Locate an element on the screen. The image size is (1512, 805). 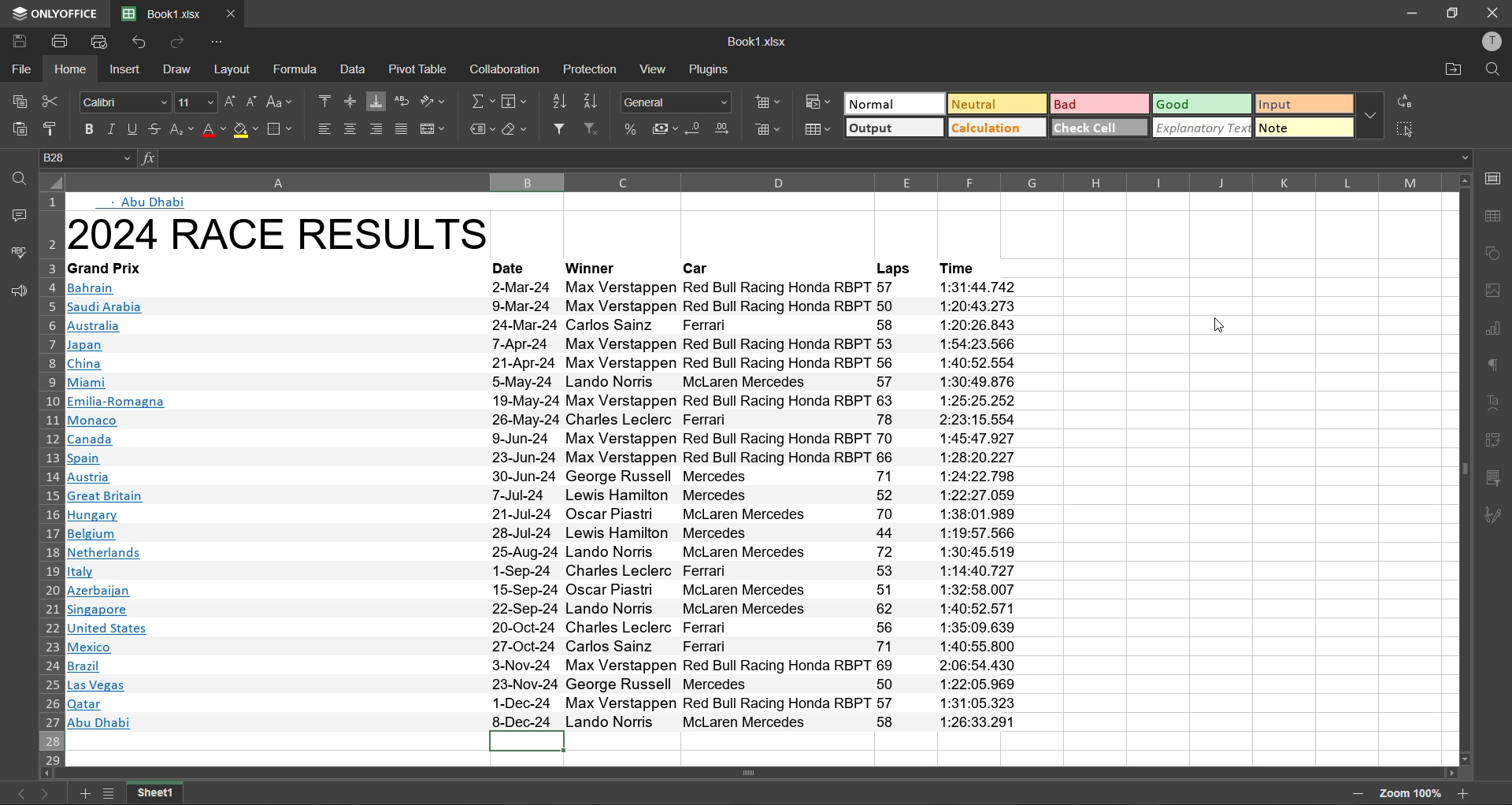
find is located at coordinates (1494, 69).